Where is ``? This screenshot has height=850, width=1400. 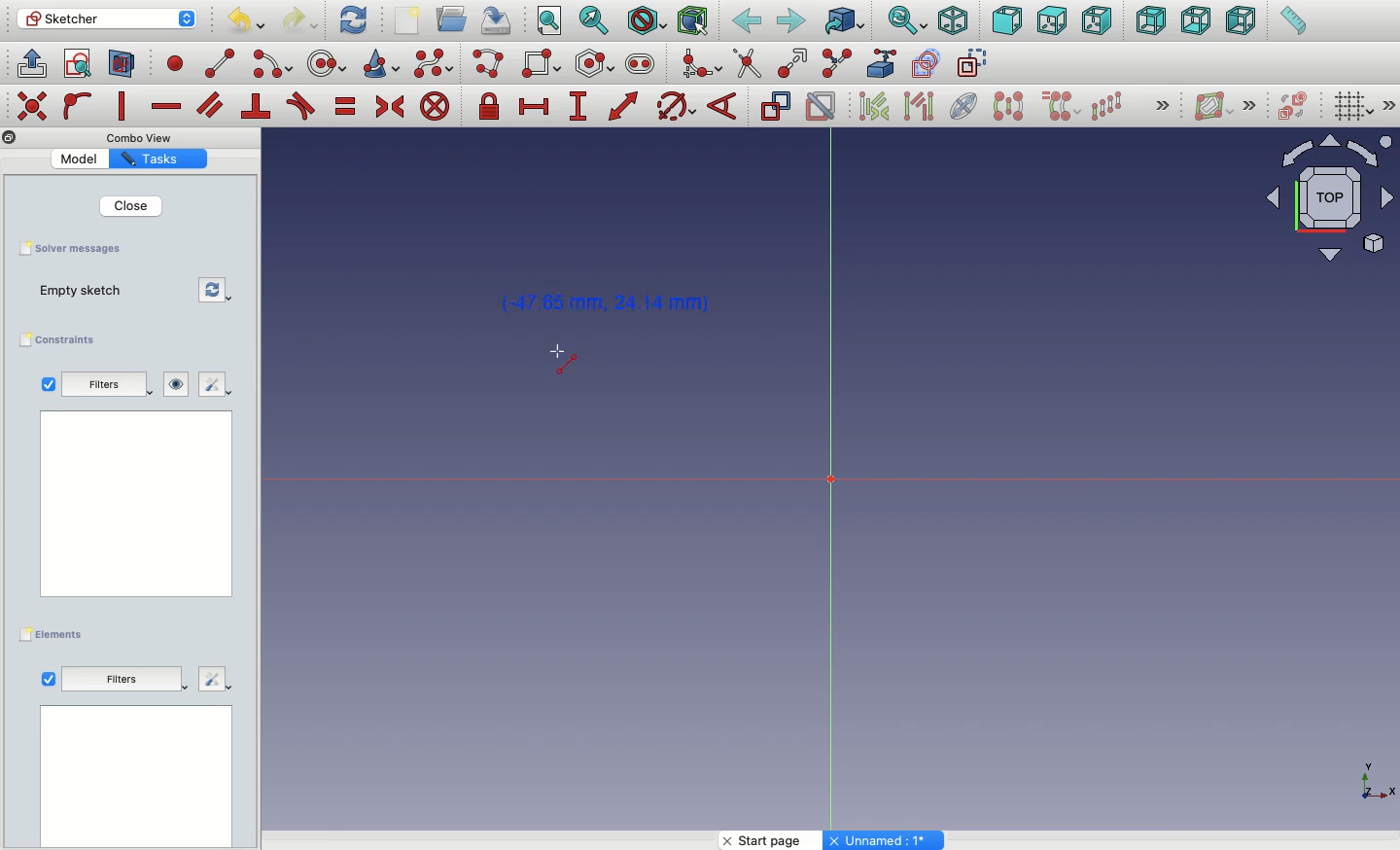  is located at coordinates (30, 104).